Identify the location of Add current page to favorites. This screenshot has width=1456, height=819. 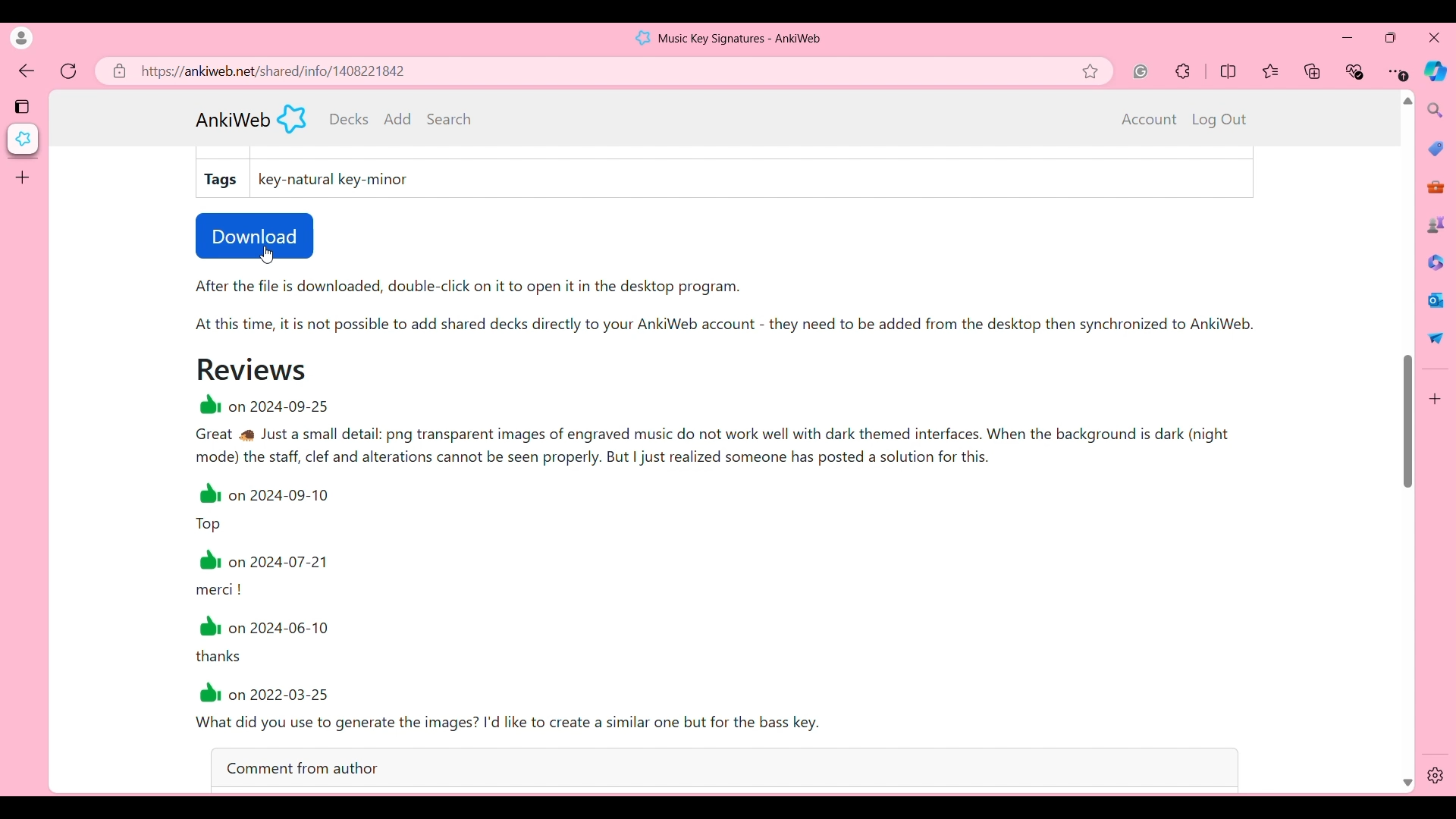
(1096, 71).